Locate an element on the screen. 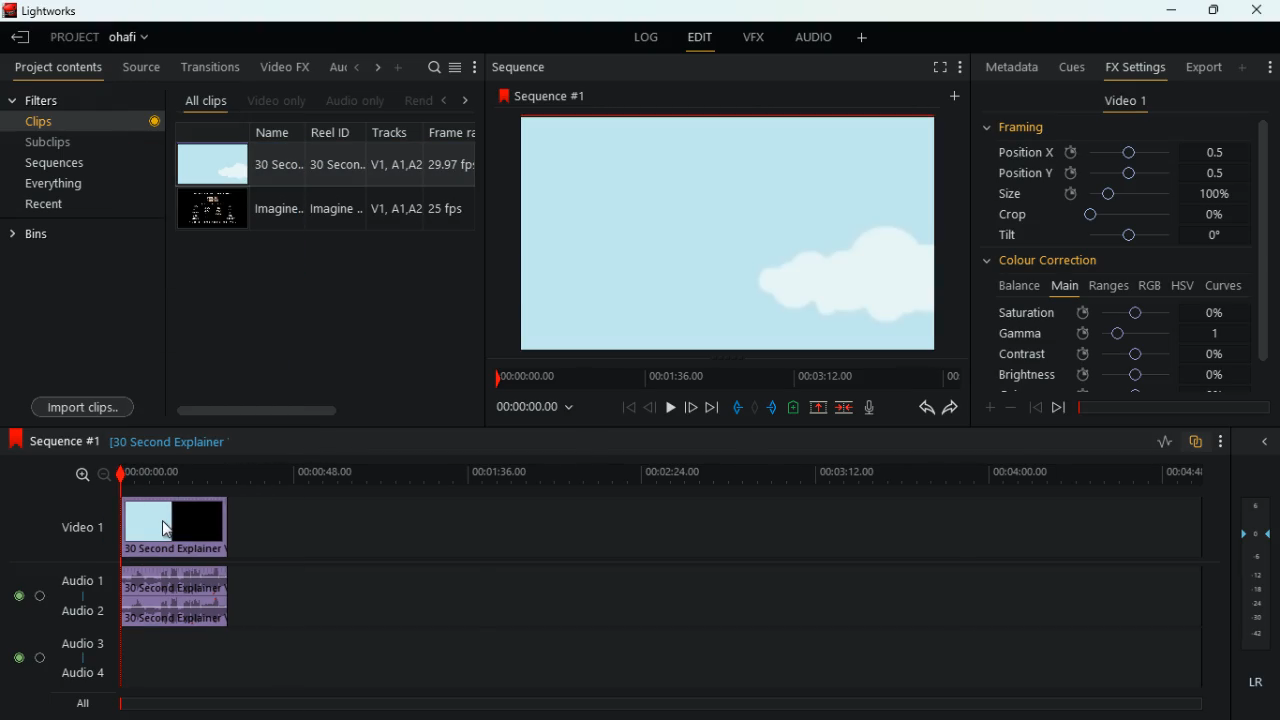  image is located at coordinates (727, 232).